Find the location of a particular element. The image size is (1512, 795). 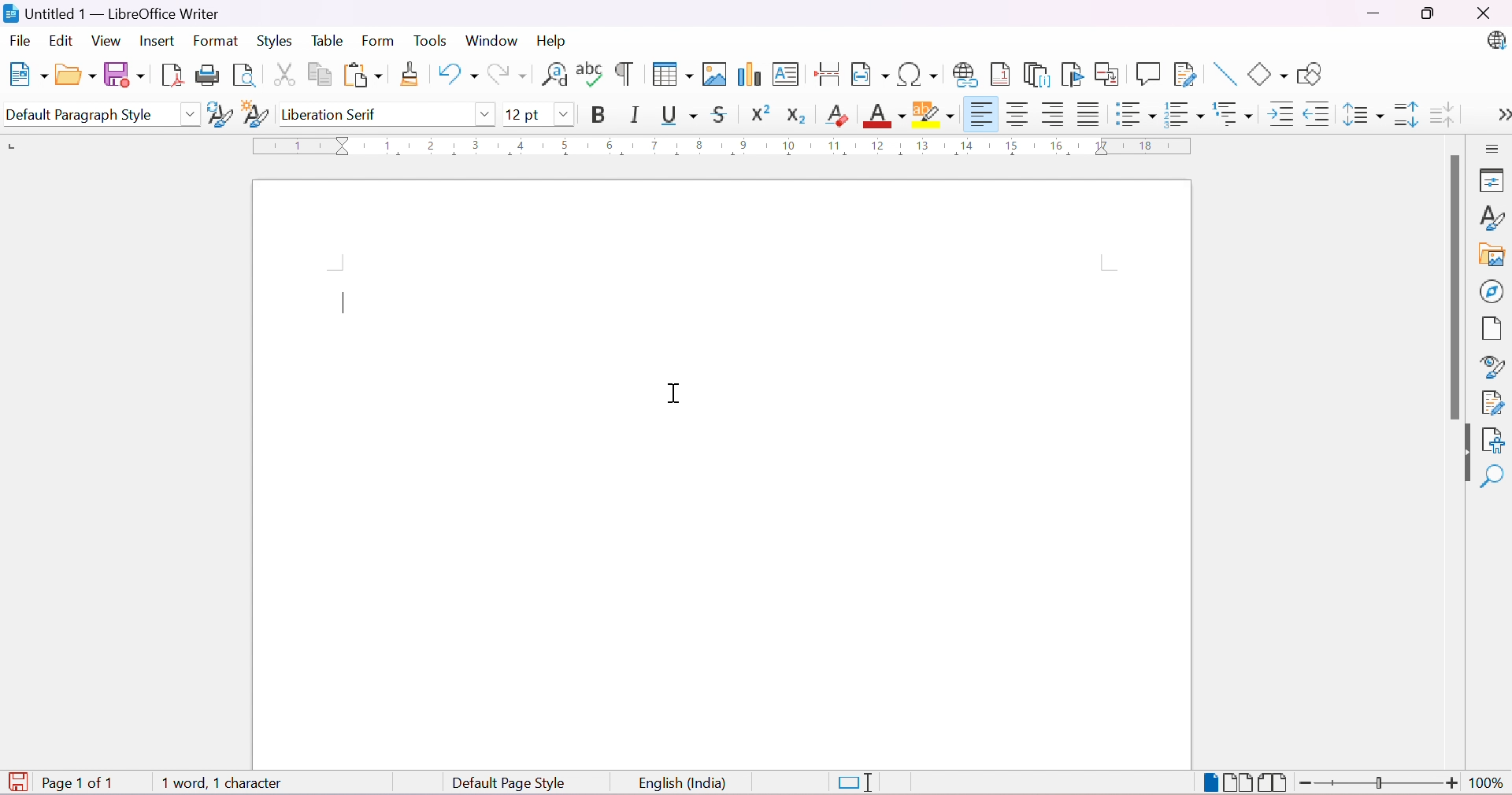

Set Line Spacing is located at coordinates (1362, 112).